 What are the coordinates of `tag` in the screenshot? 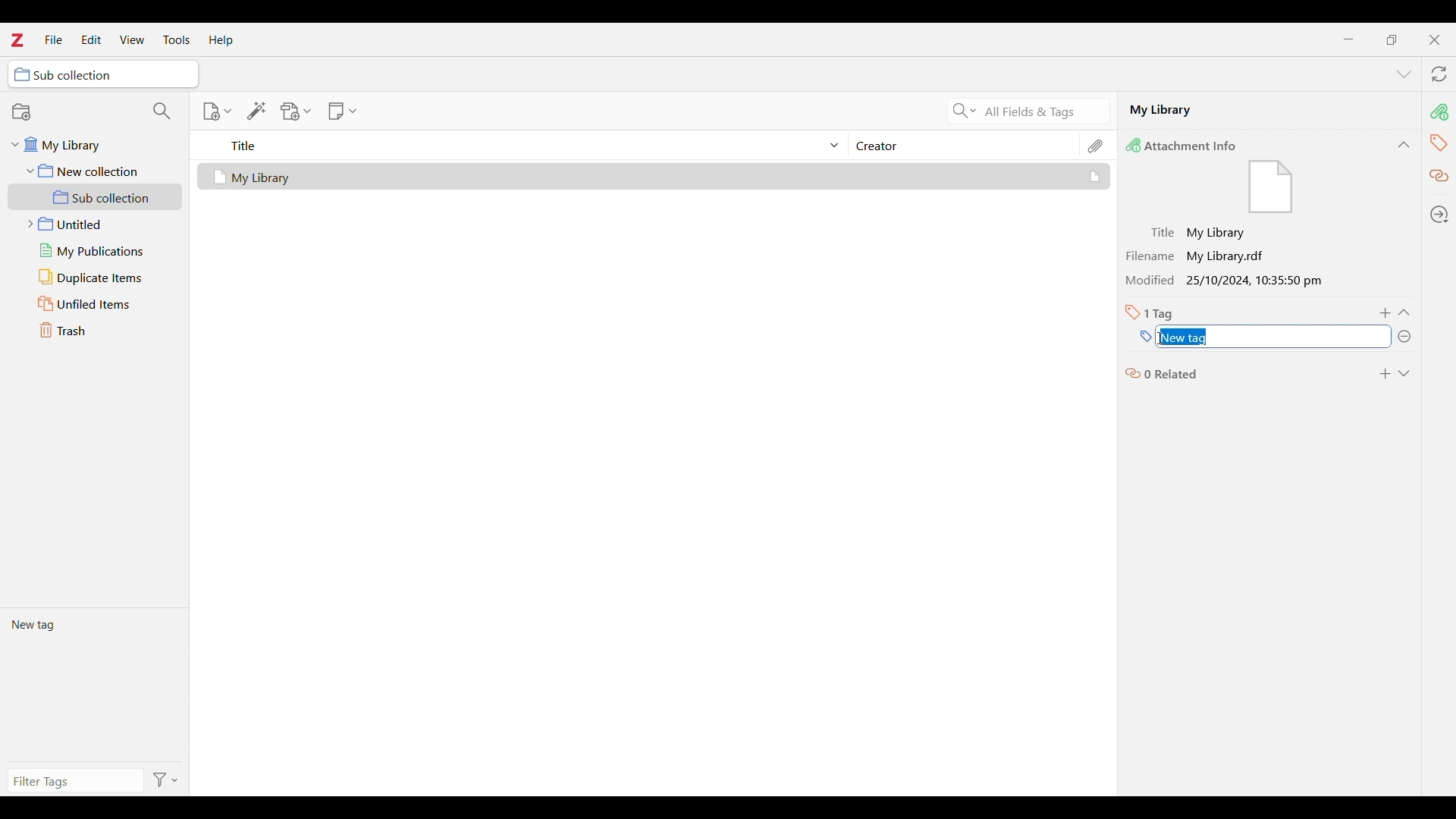 It's located at (1439, 142).